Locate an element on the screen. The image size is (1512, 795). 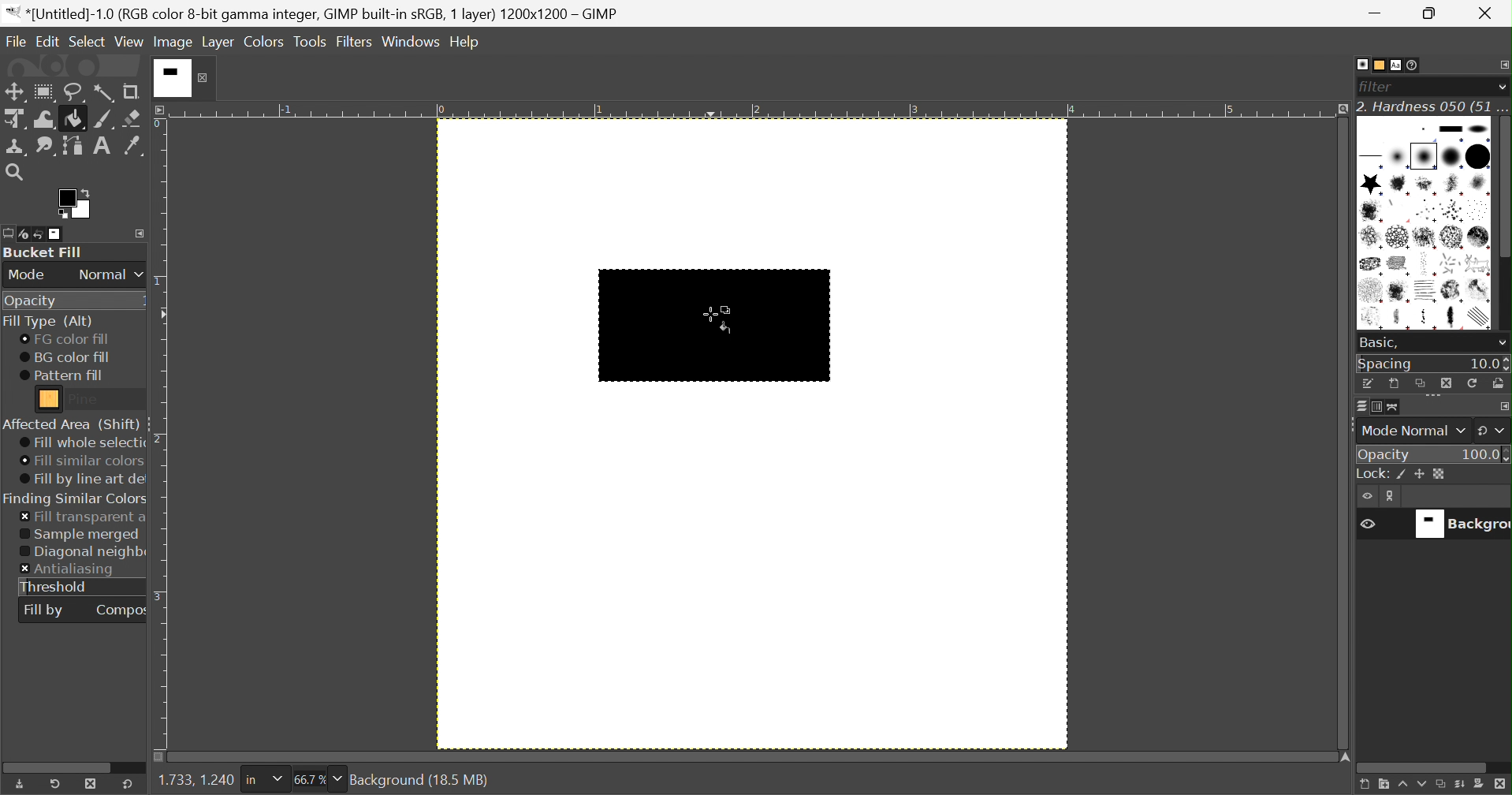
Eraser Tool is located at coordinates (132, 118).